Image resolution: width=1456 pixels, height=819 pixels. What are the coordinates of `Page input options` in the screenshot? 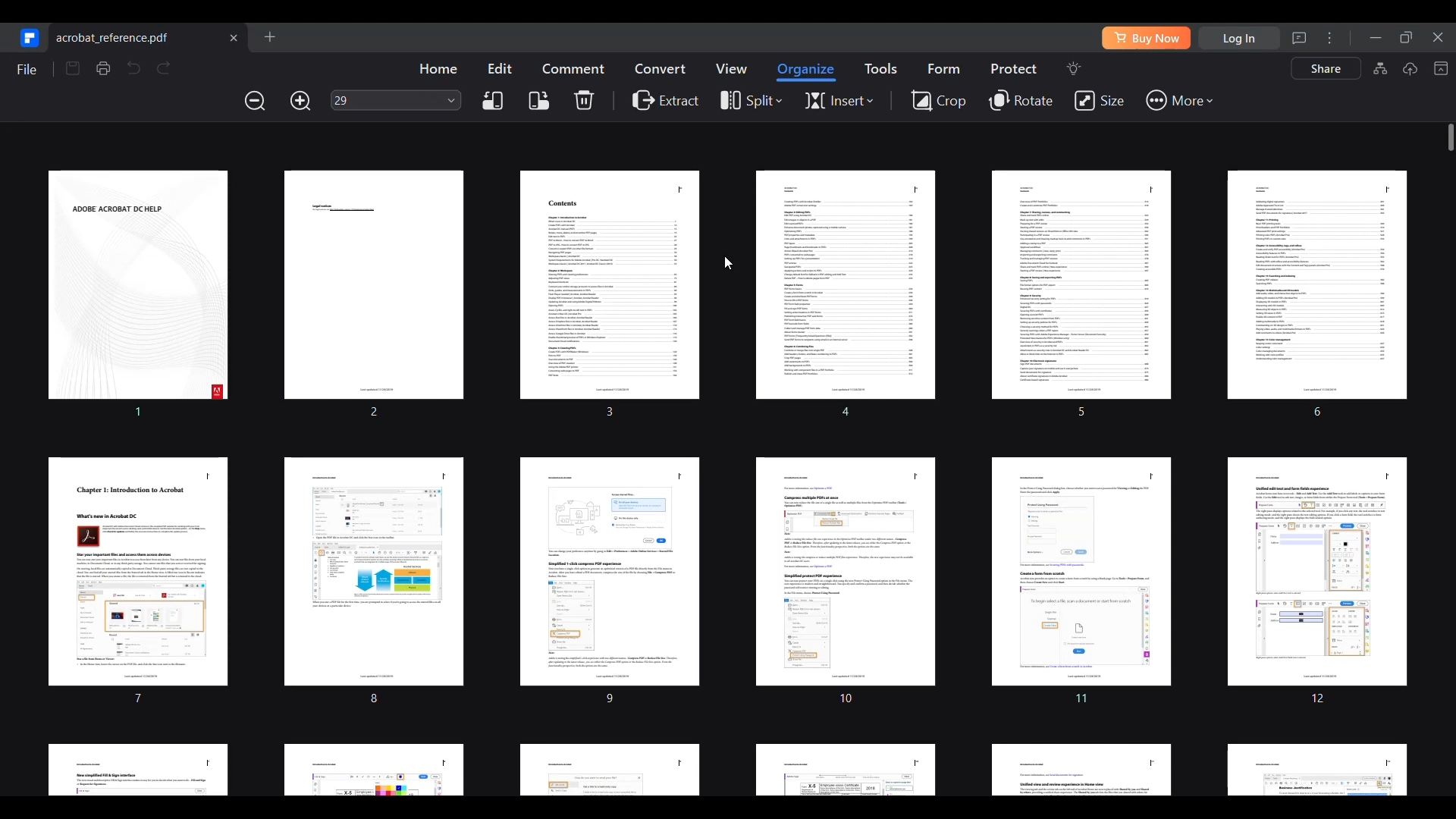 It's located at (452, 99).